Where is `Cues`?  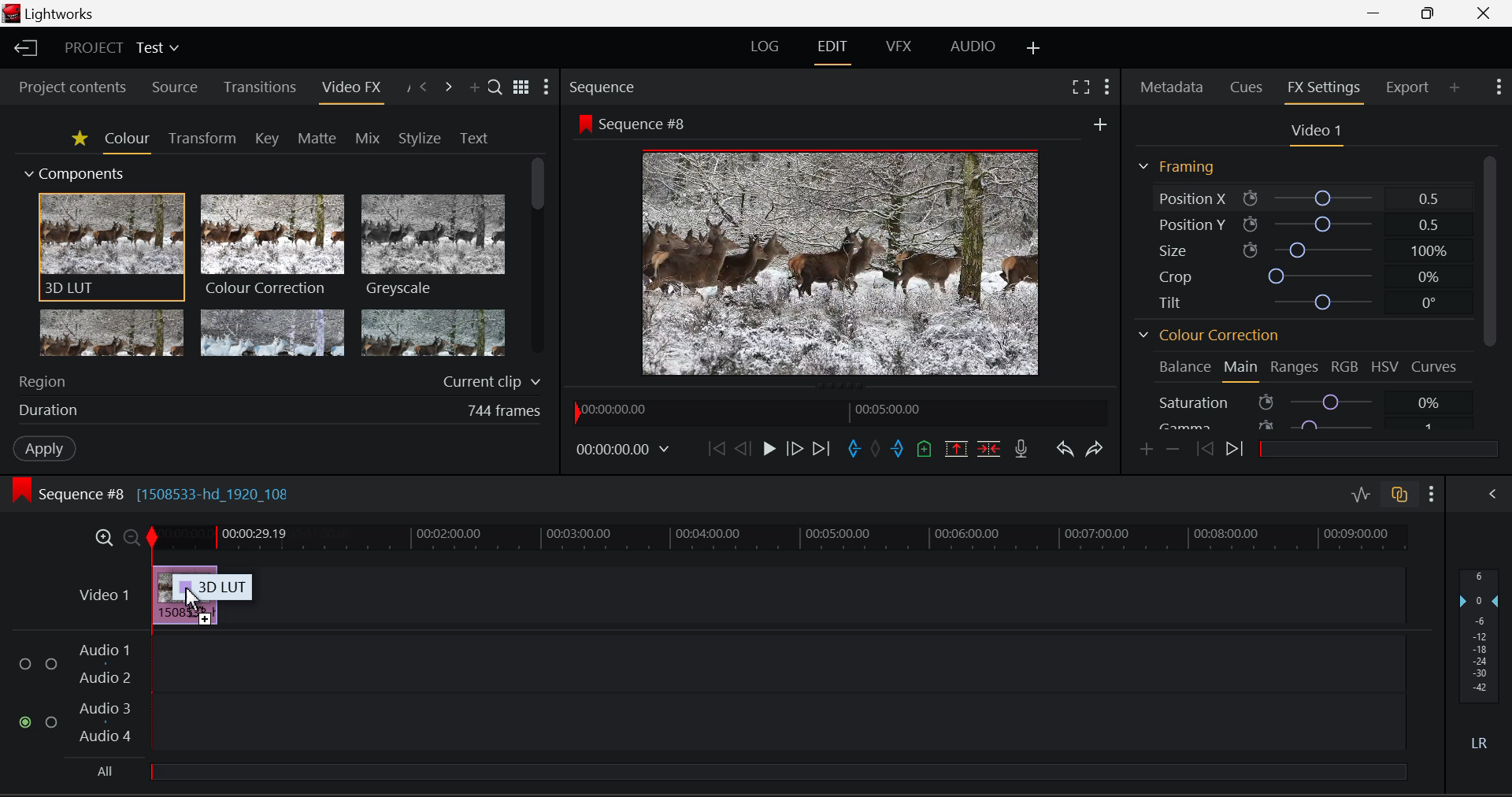
Cues is located at coordinates (1246, 87).